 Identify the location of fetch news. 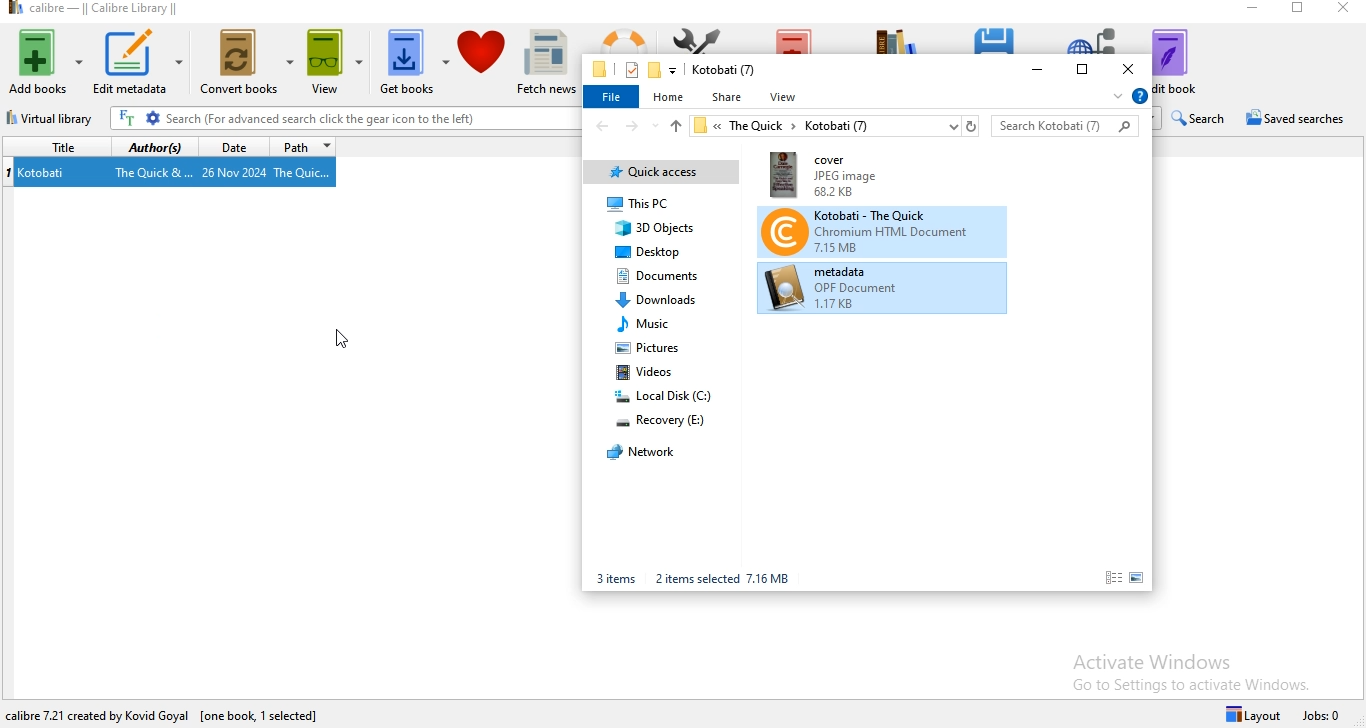
(548, 64).